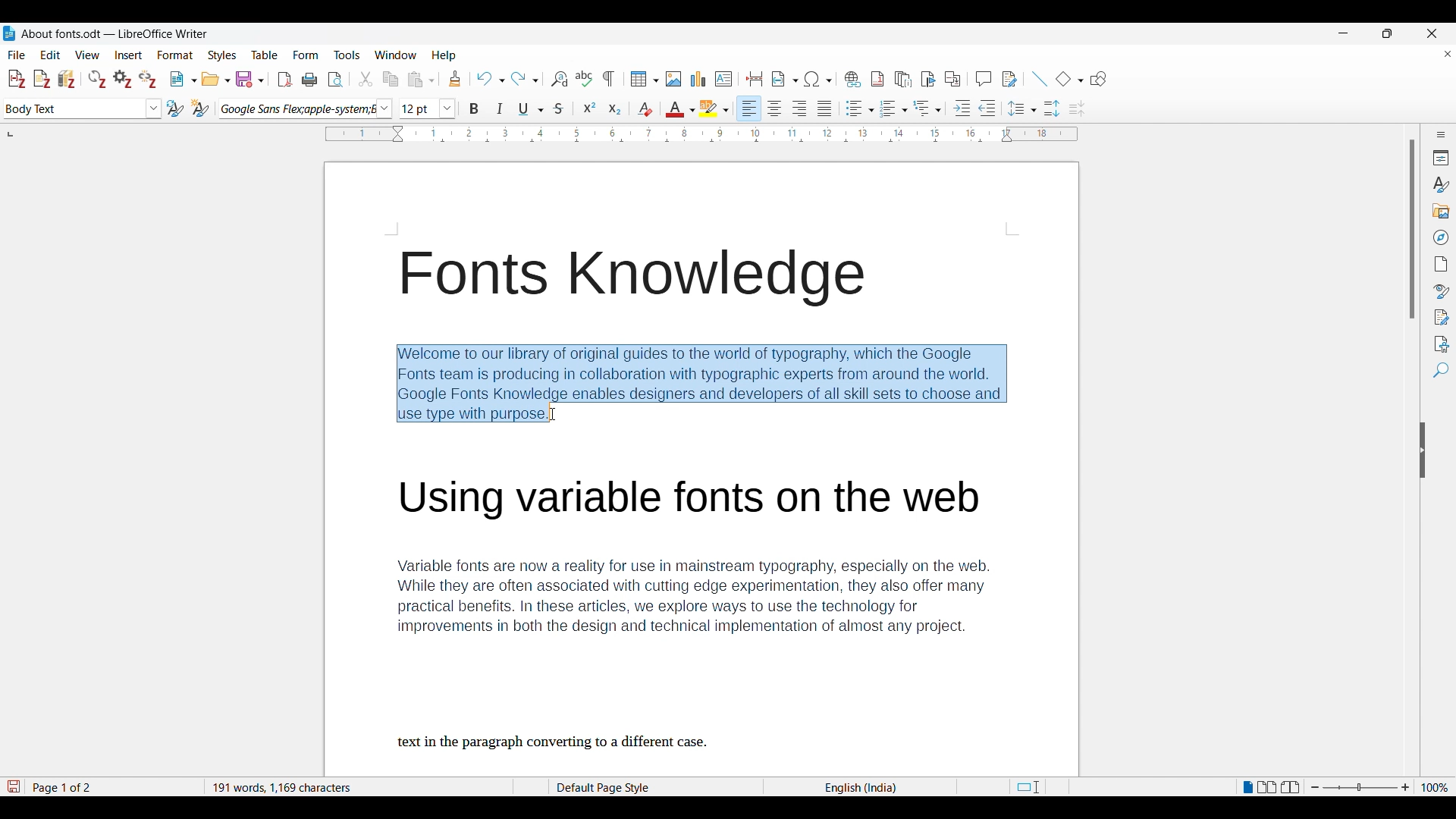 This screenshot has width=1456, height=819. What do you see at coordinates (674, 79) in the screenshot?
I see `Insert image` at bounding box center [674, 79].